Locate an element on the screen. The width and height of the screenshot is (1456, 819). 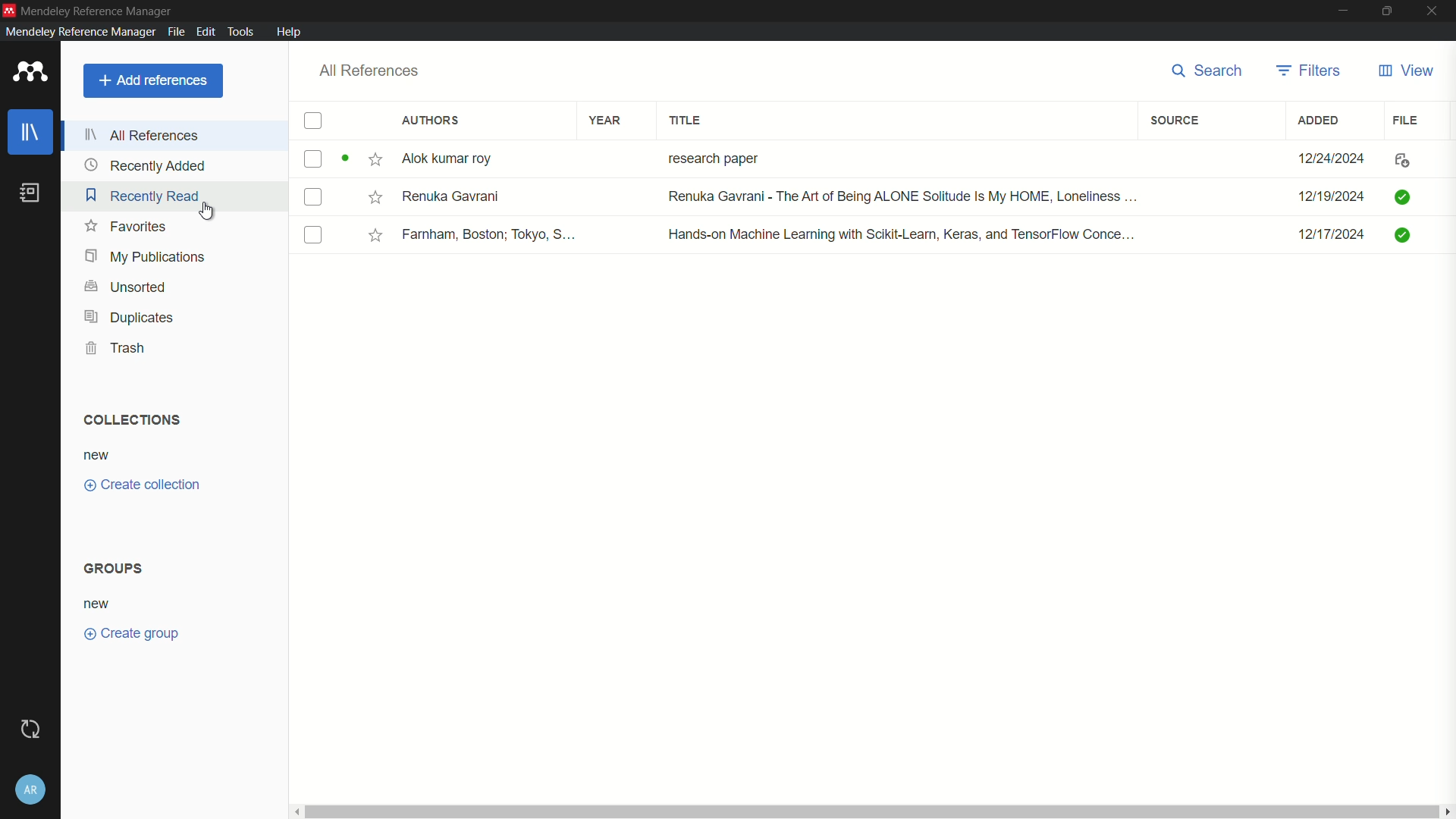
collections is located at coordinates (130, 419).